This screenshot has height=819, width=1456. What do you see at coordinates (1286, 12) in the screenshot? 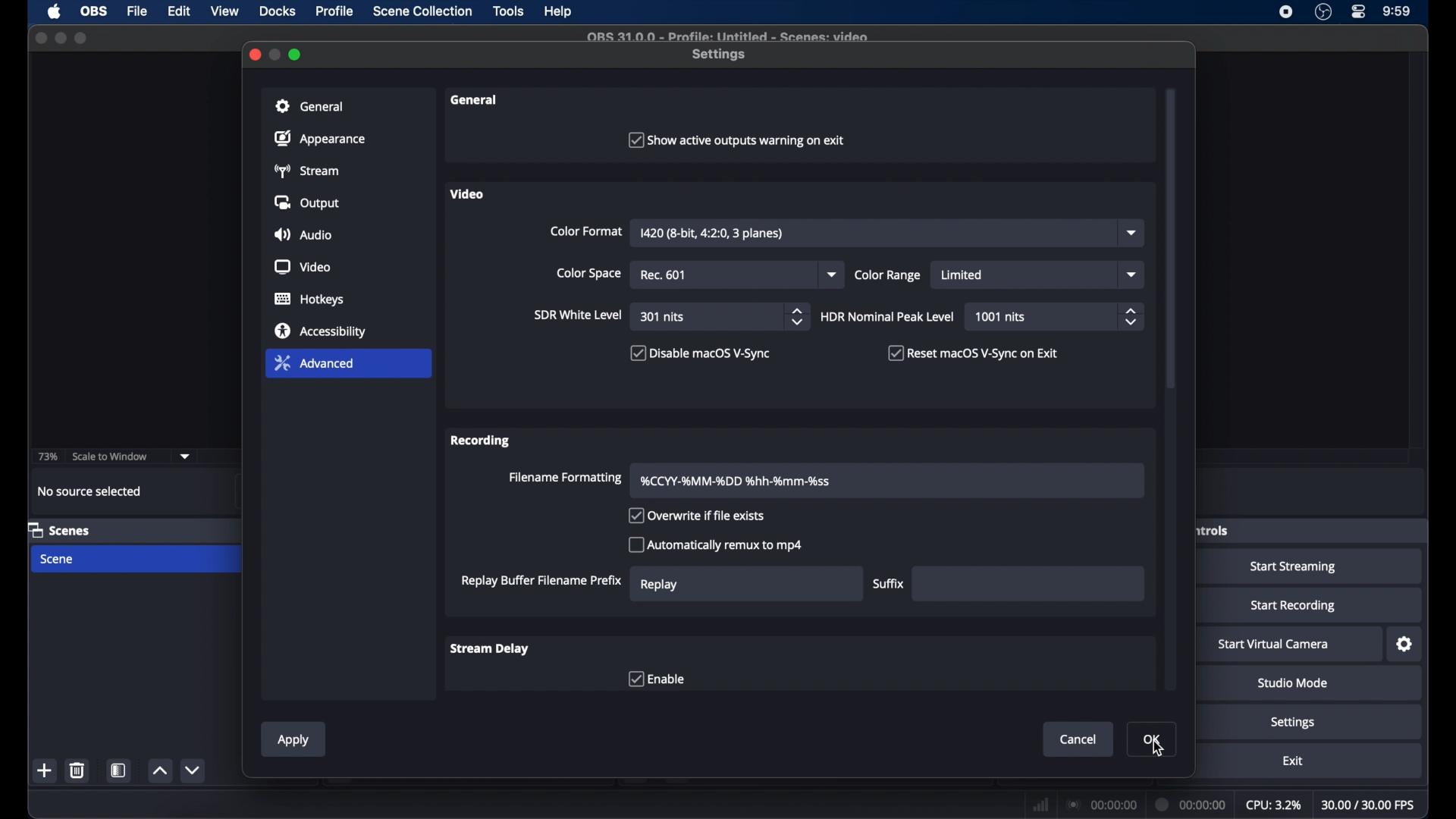
I see `screen recorder icon` at bounding box center [1286, 12].